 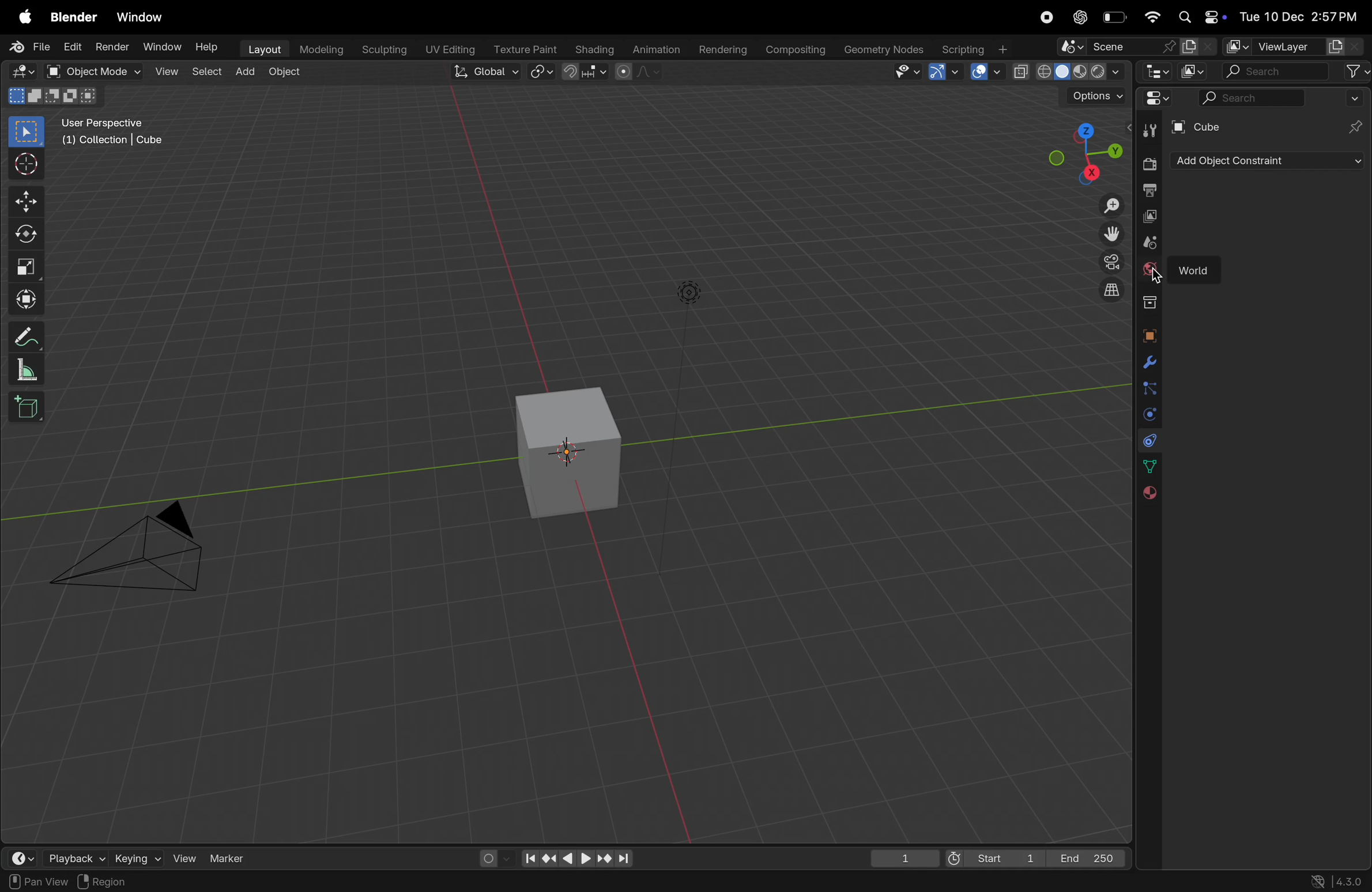 What do you see at coordinates (884, 50) in the screenshot?
I see `Geometry name` at bounding box center [884, 50].